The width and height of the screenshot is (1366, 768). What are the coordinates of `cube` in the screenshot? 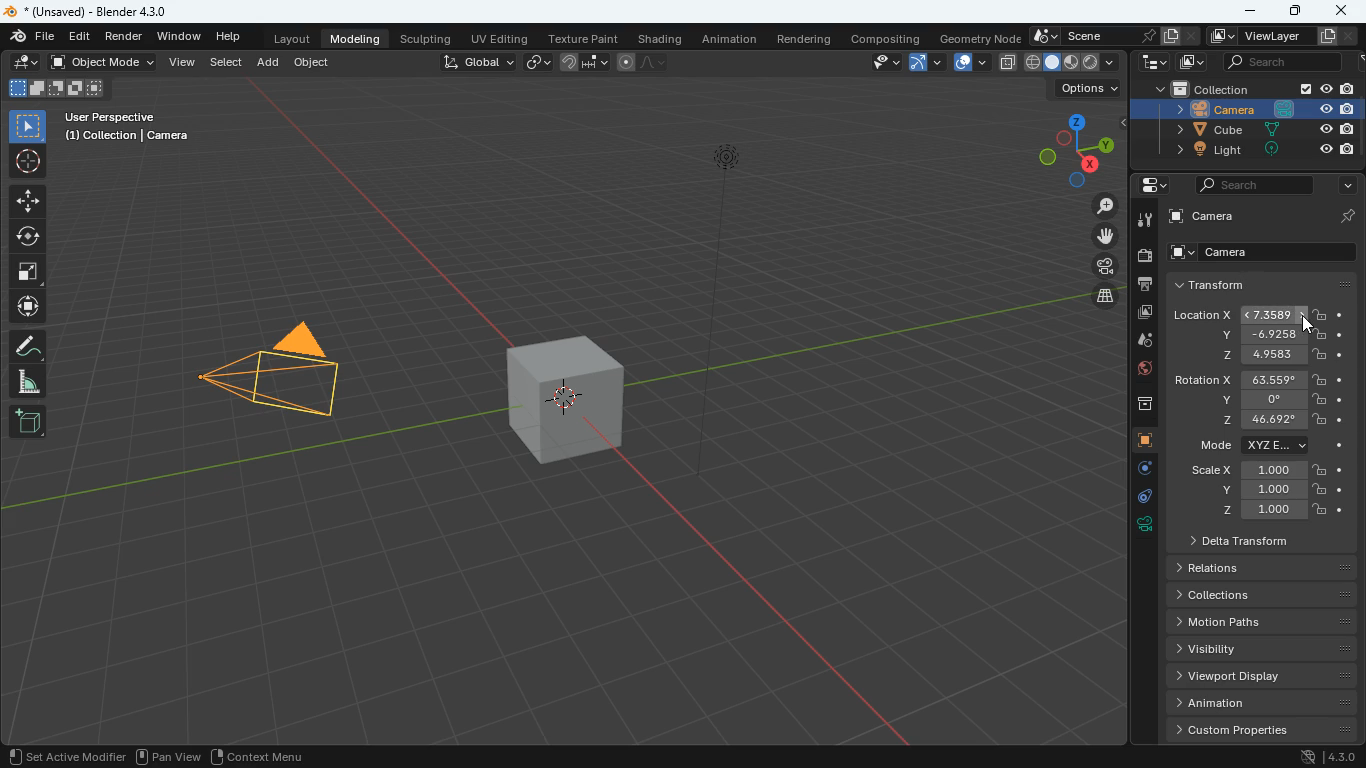 It's located at (57, 90).